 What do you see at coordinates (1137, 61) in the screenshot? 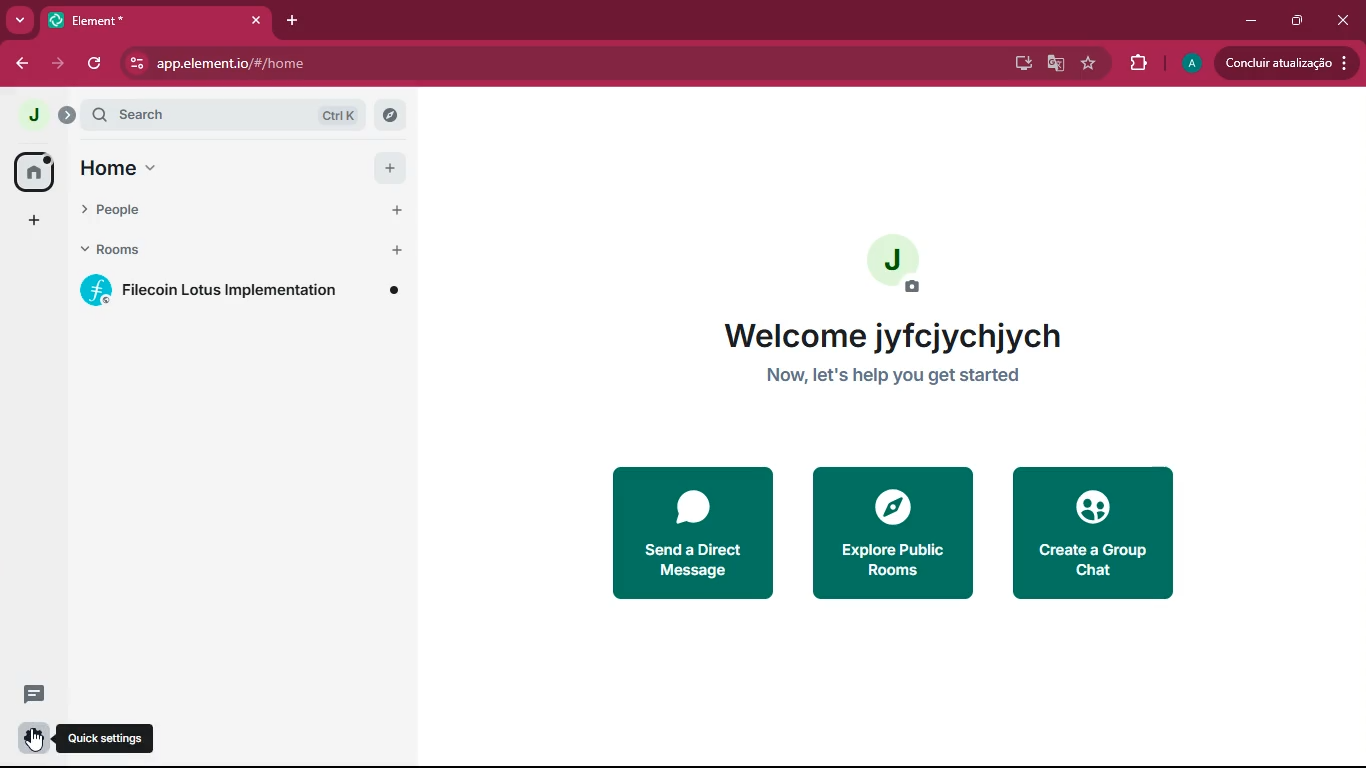
I see `extensions` at bounding box center [1137, 61].